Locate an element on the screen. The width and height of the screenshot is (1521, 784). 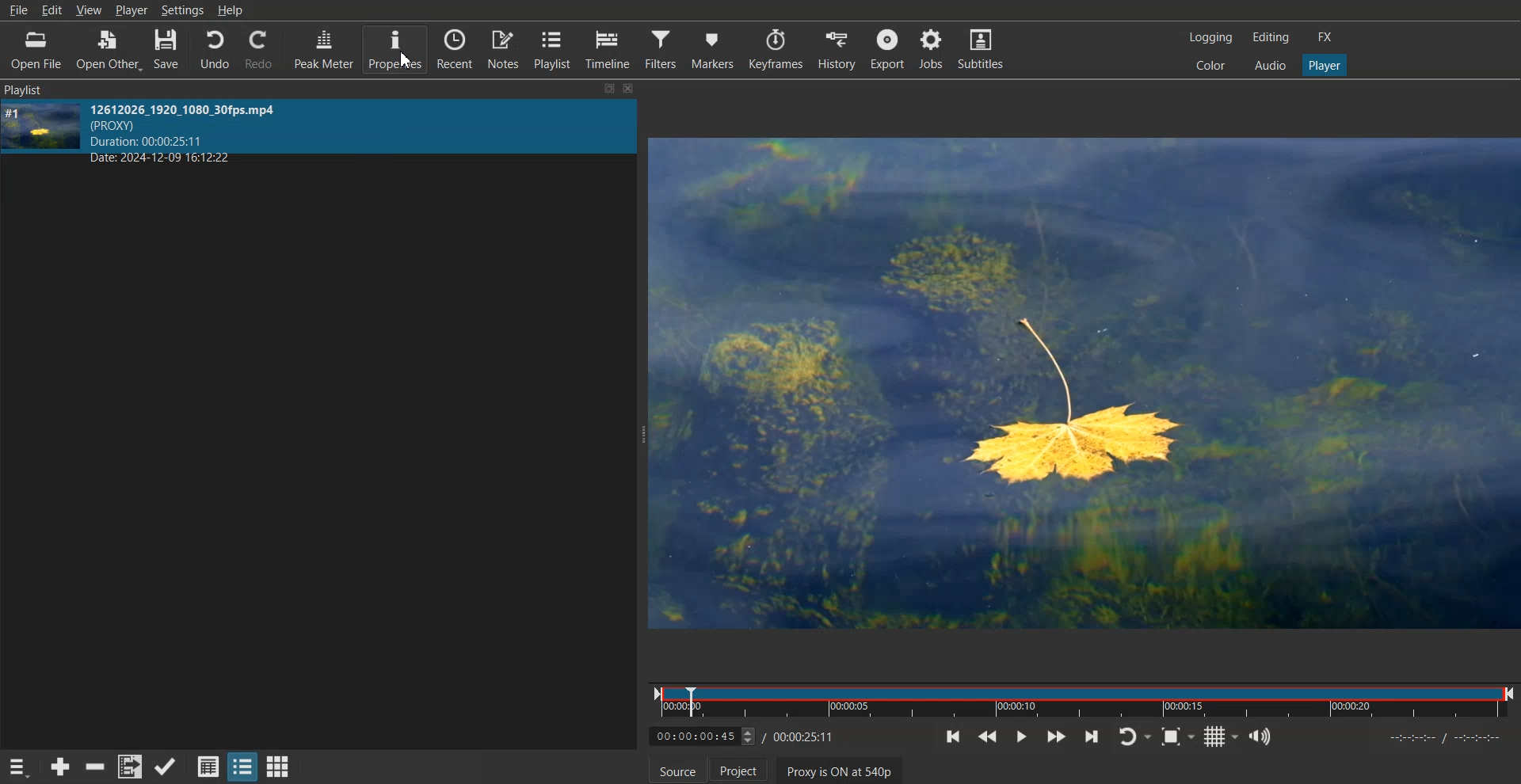
Playlist Panel is located at coordinates (37, 91).